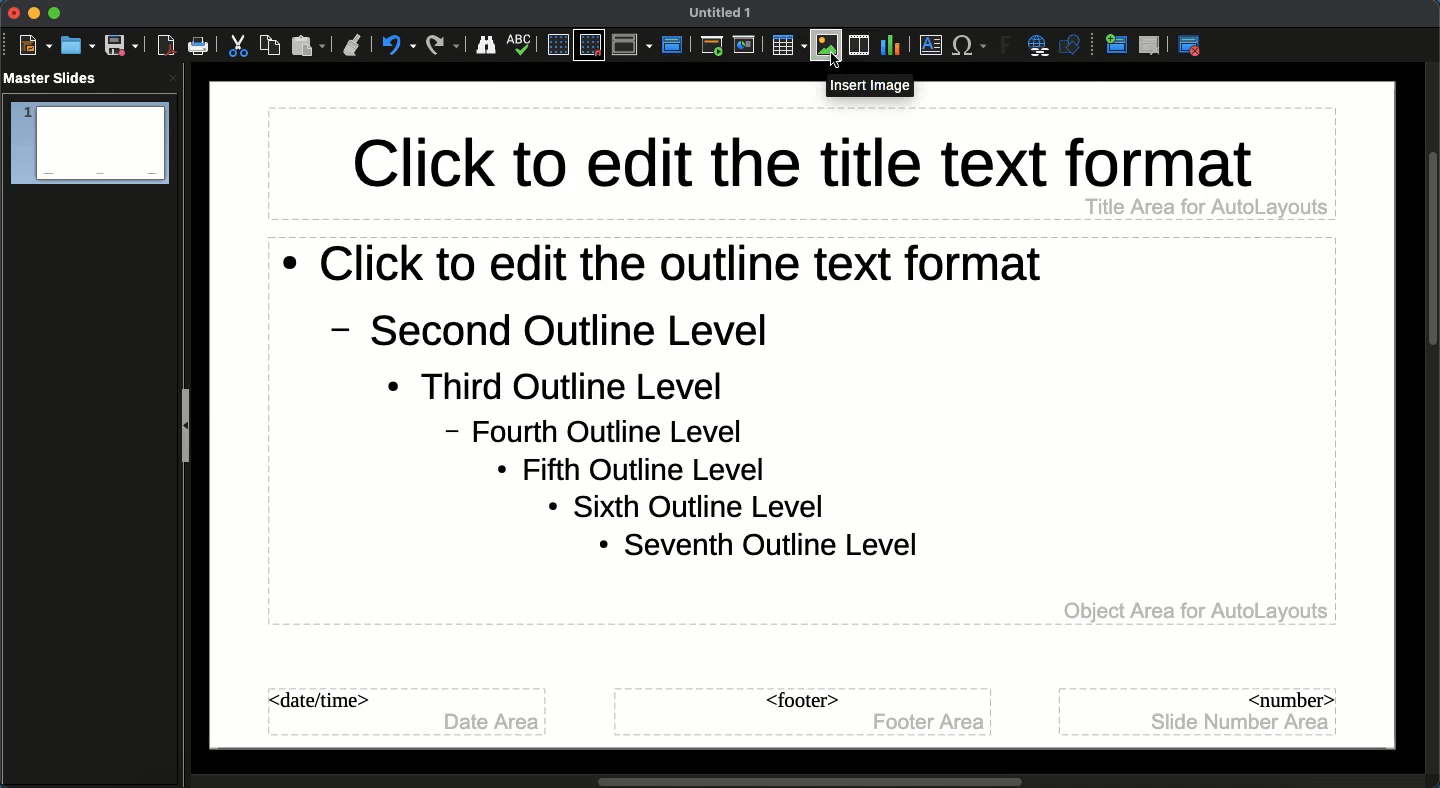 Image resolution: width=1440 pixels, height=788 pixels. What do you see at coordinates (33, 13) in the screenshot?
I see `Minimize` at bounding box center [33, 13].